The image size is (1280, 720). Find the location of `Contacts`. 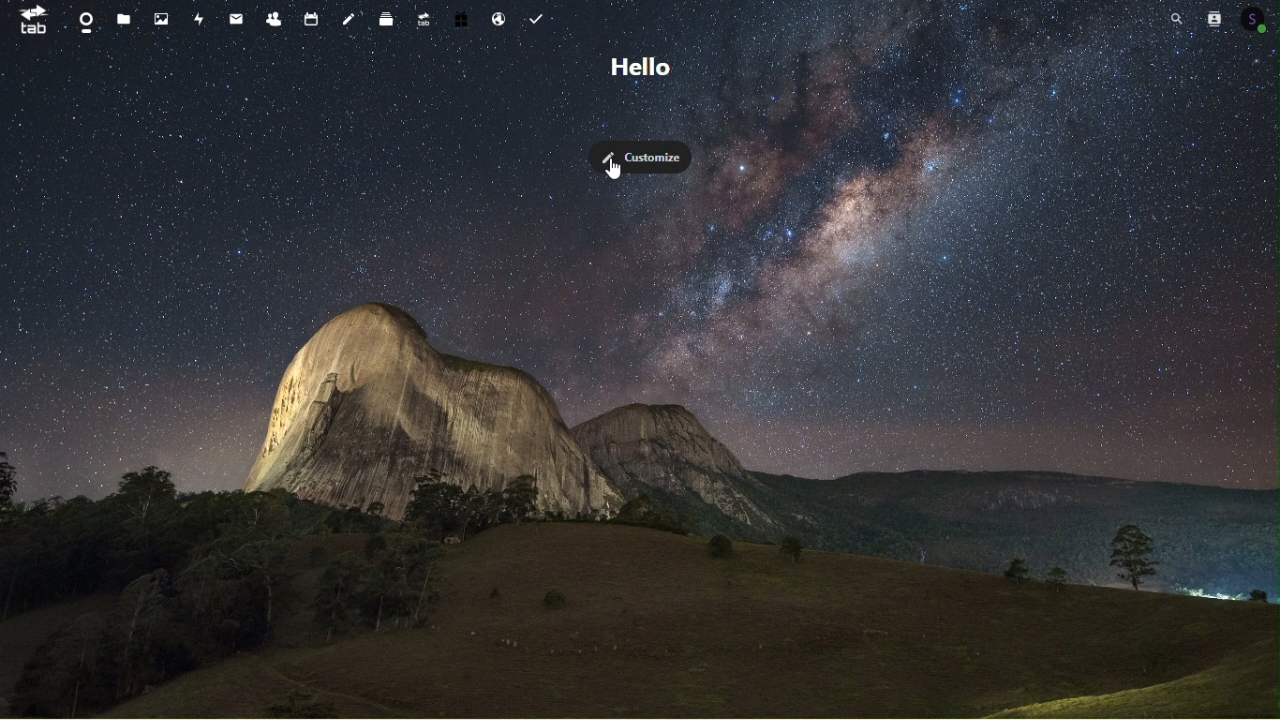

Contacts is located at coordinates (275, 15).